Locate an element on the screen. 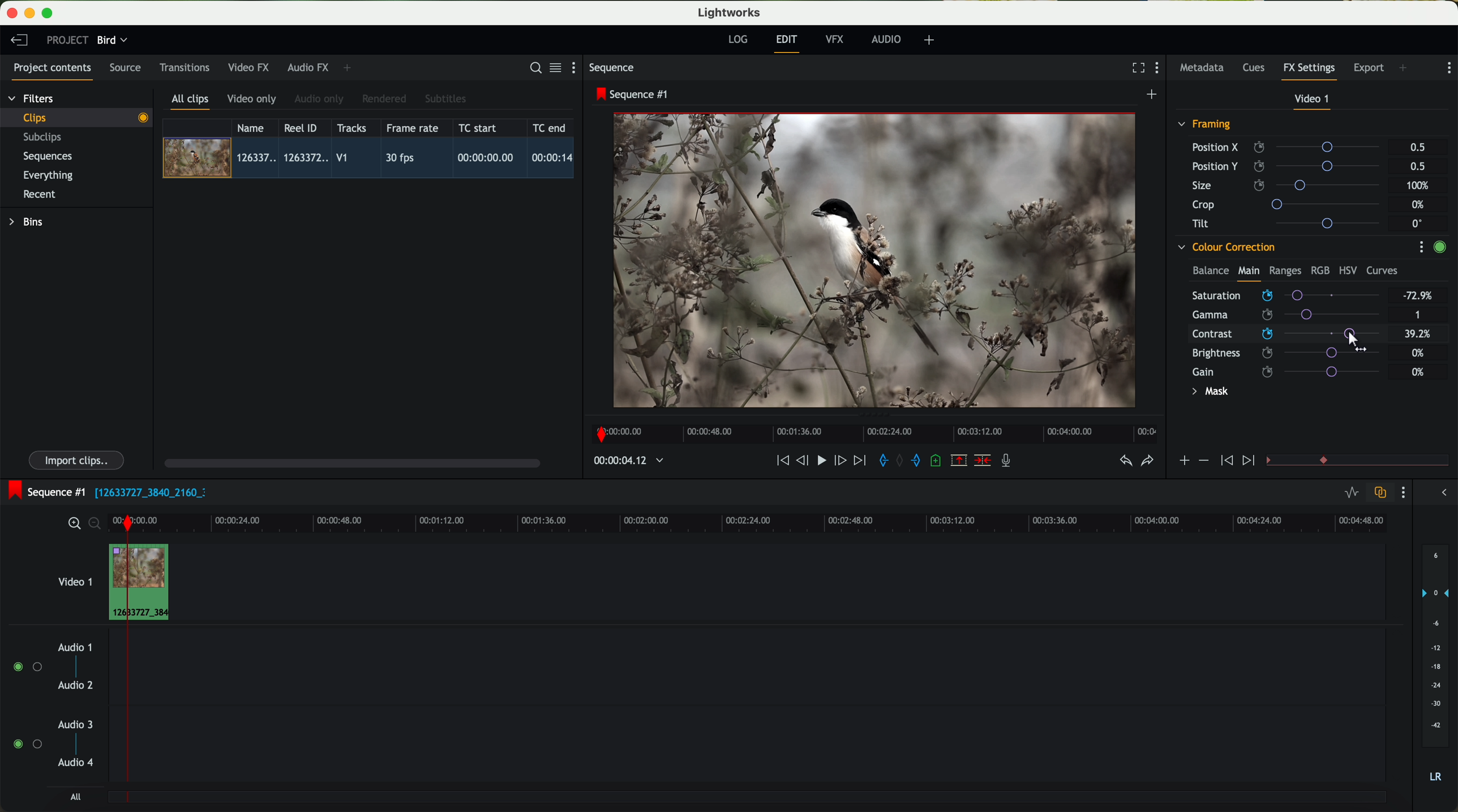 The width and height of the screenshot is (1458, 812). add panel is located at coordinates (350, 68).